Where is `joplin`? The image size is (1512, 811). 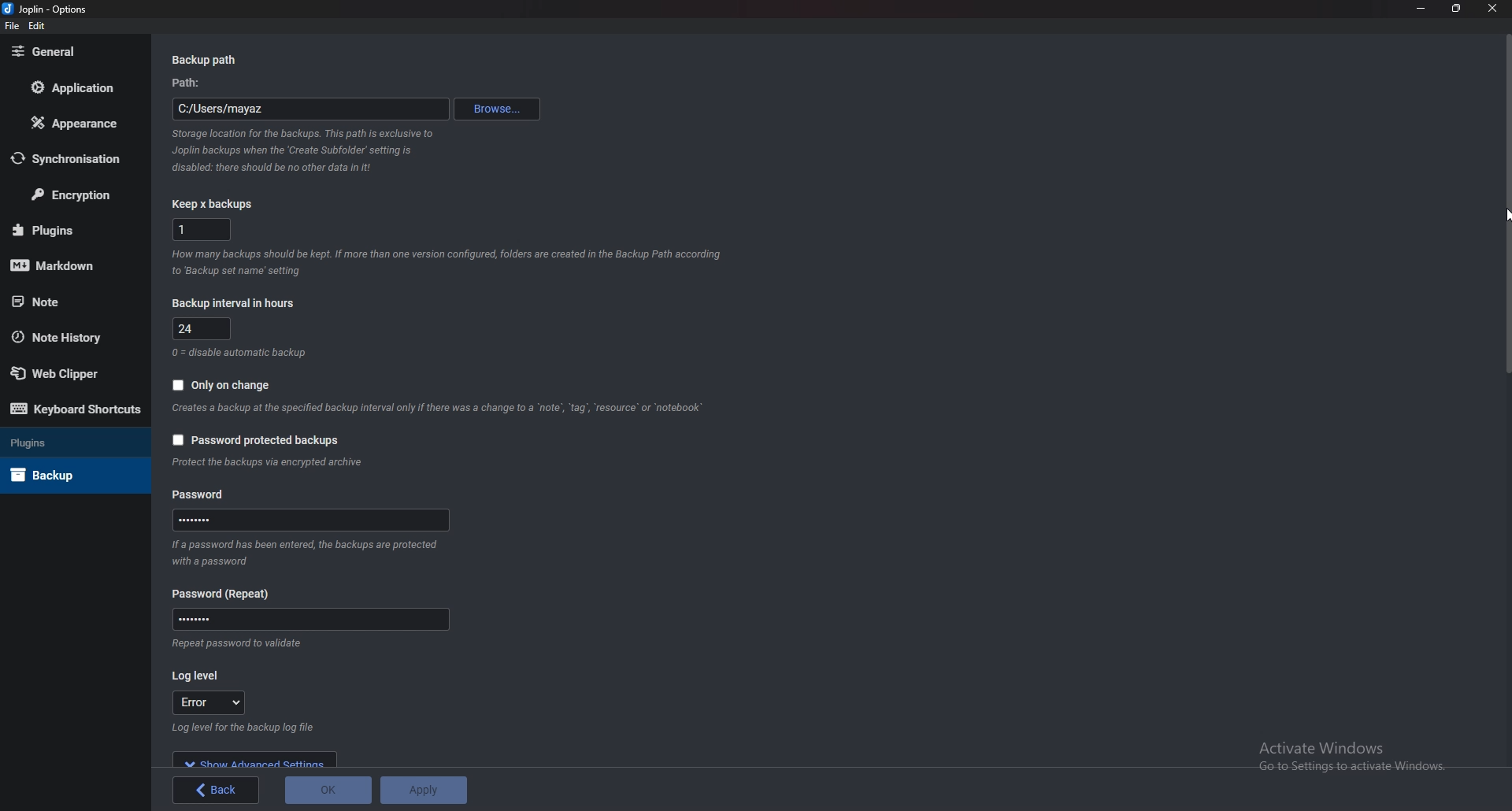 joplin is located at coordinates (46, 9).